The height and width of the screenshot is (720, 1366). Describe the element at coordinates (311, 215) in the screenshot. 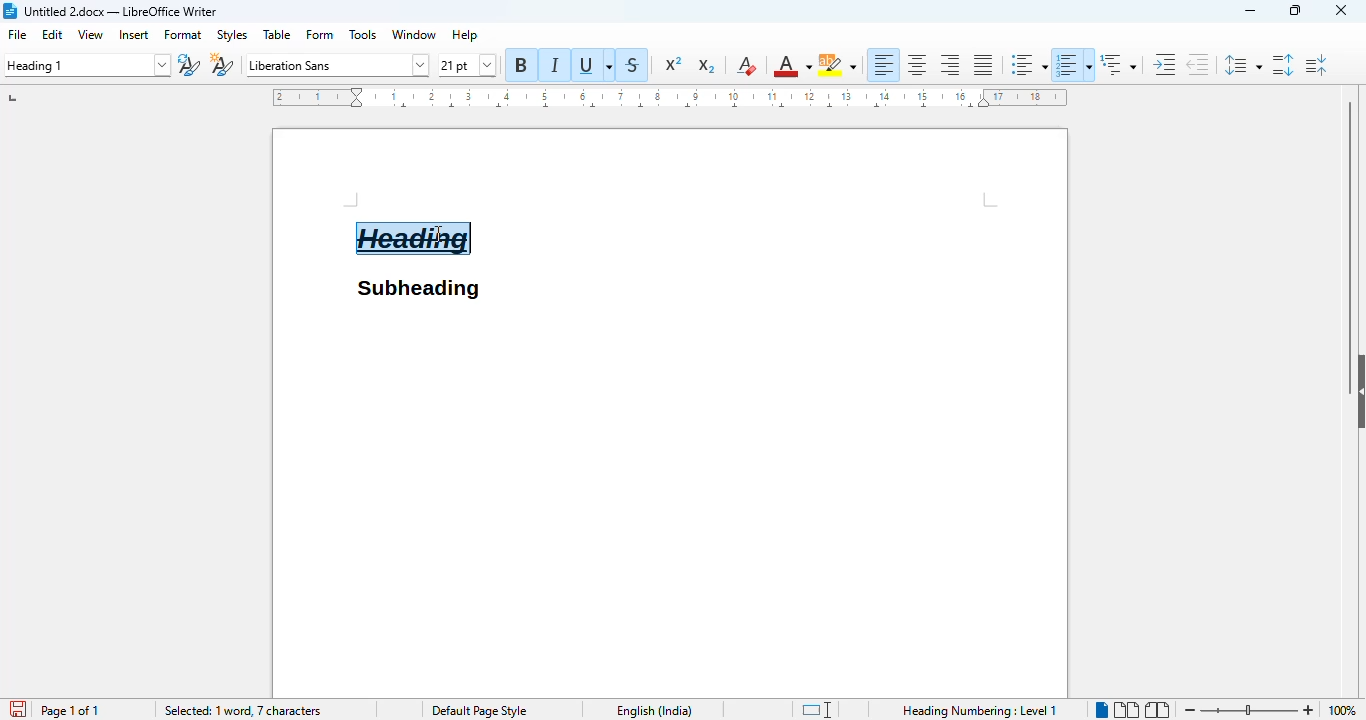

I see `Document` at that location.